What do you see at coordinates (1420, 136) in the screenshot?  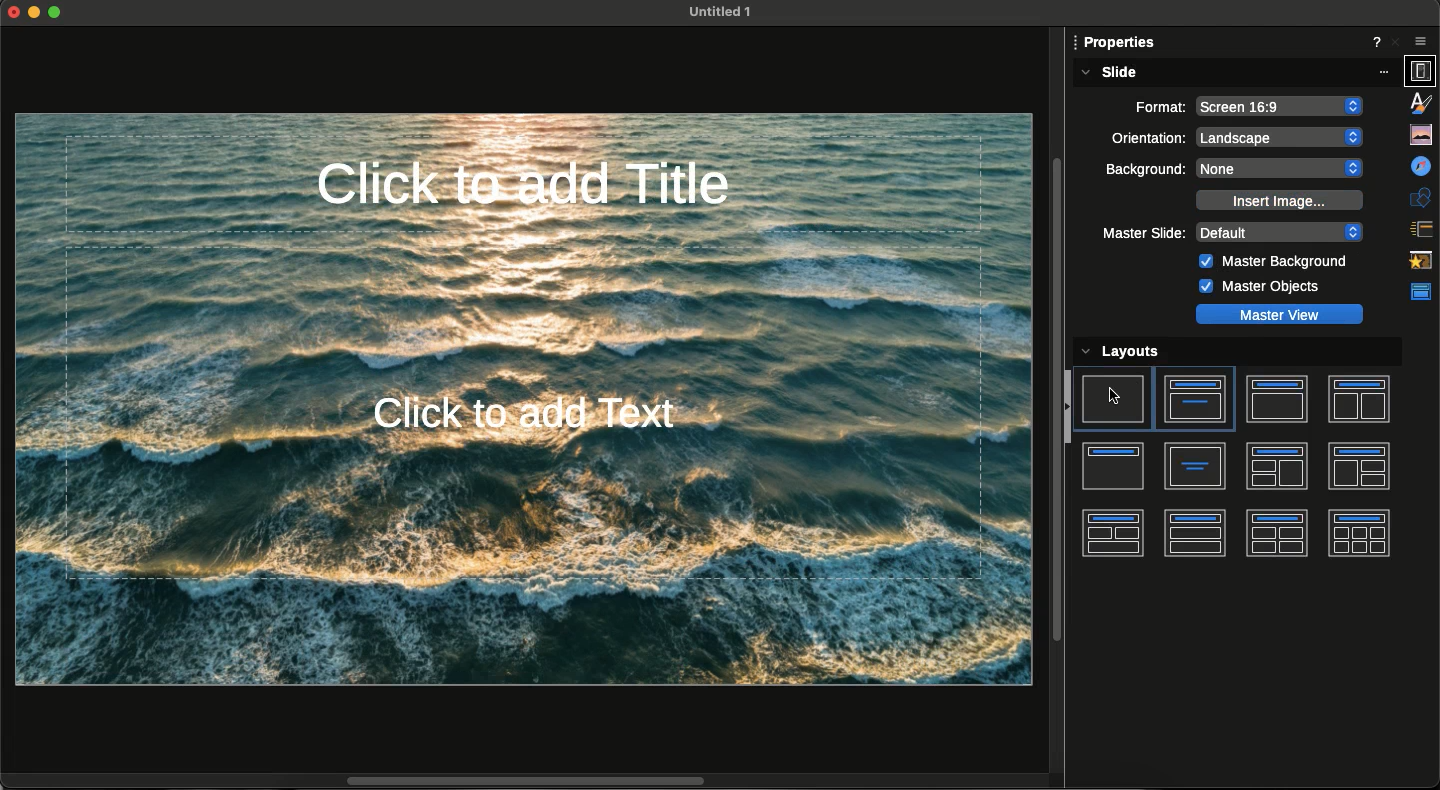 I see `Gallery` at bounding box center [1420, 136].